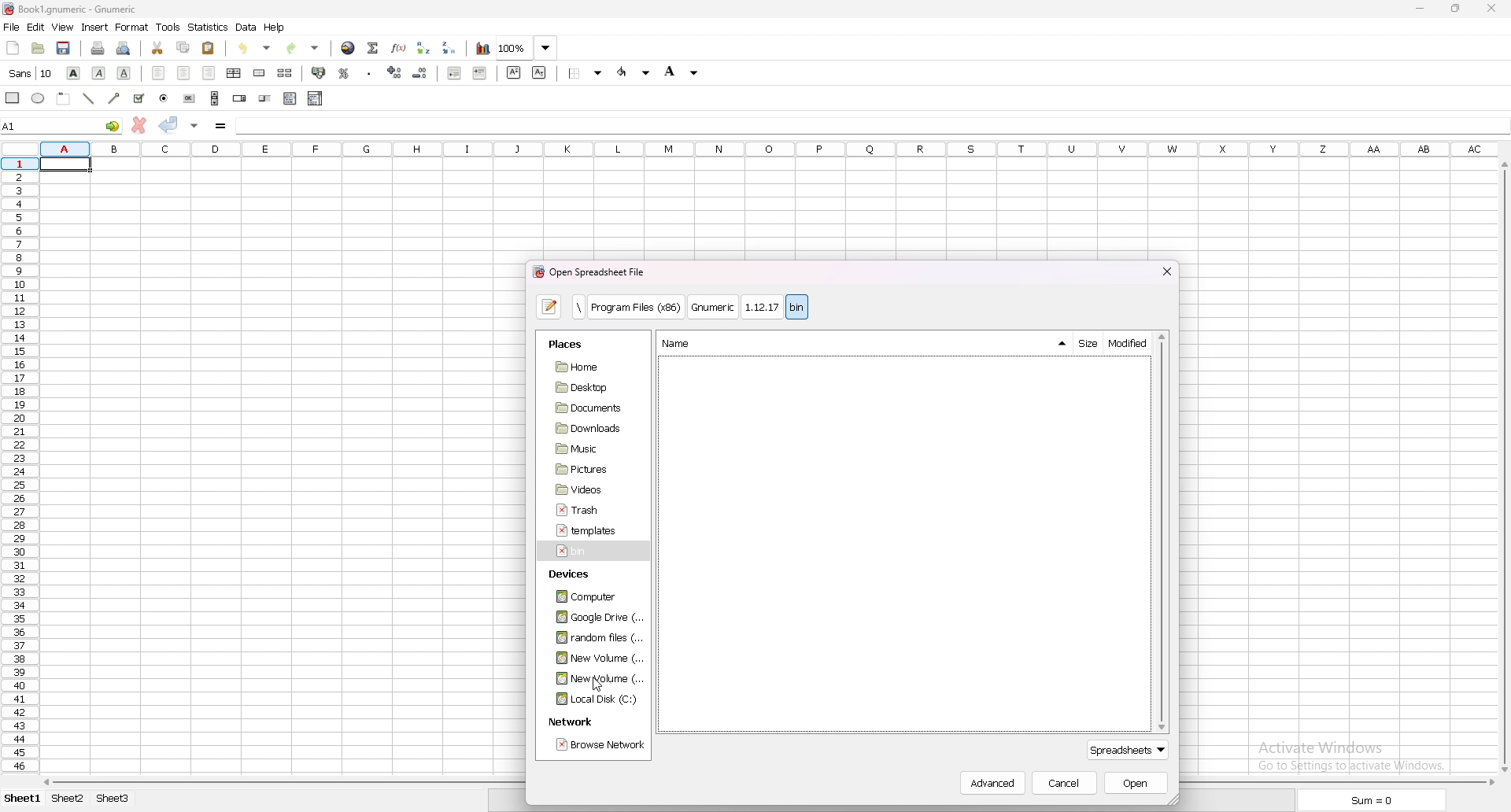 The width and height of the screenshot is (1511, 812). Describe the element at coordinates (290, 99) in the screenshot. I see `list` at that location.